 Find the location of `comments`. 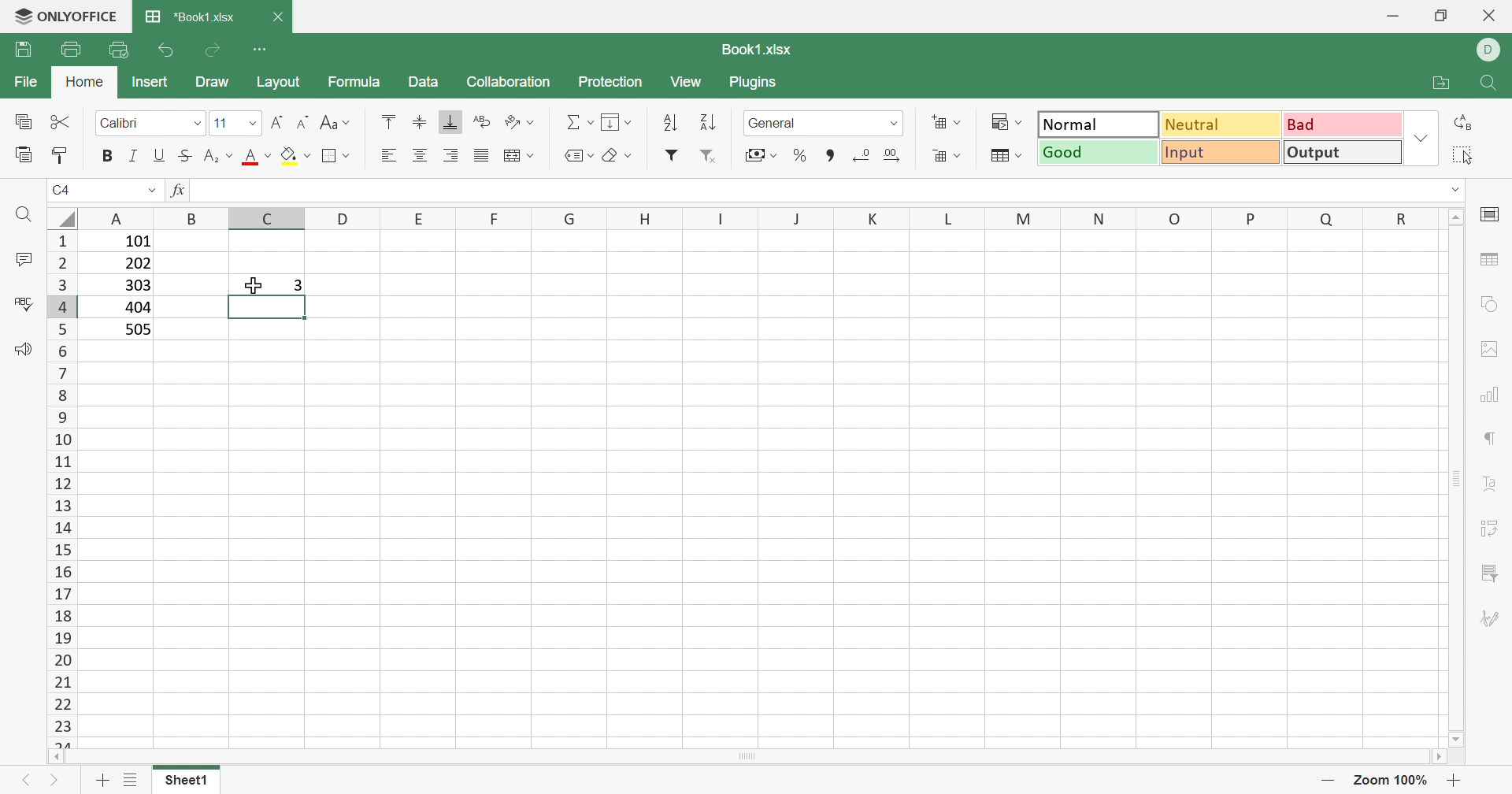

comments is located at coordinates (23, 258).